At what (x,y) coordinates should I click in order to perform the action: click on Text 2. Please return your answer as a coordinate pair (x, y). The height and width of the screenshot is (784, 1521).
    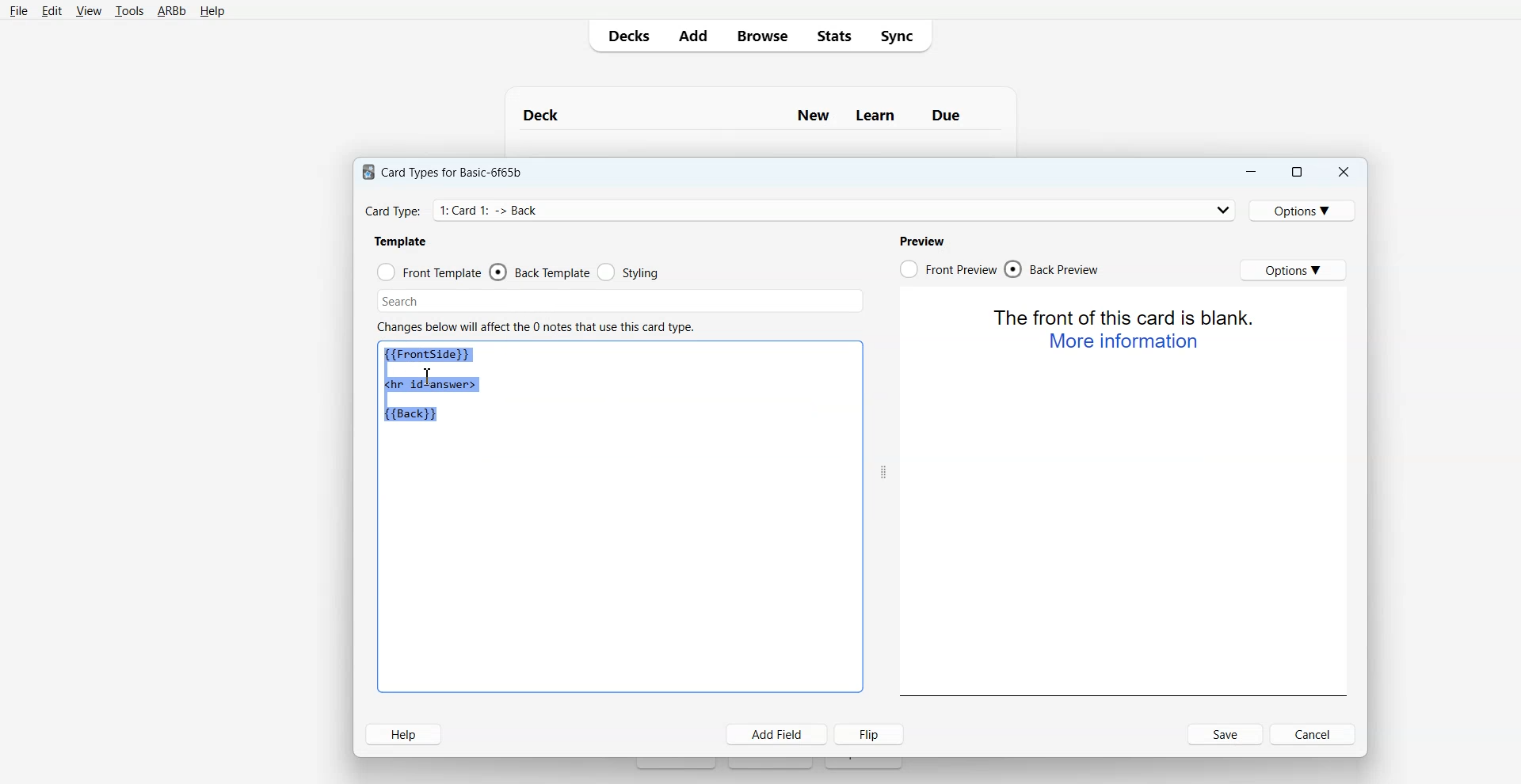
    Looking at the image, I should click on (401, 241).